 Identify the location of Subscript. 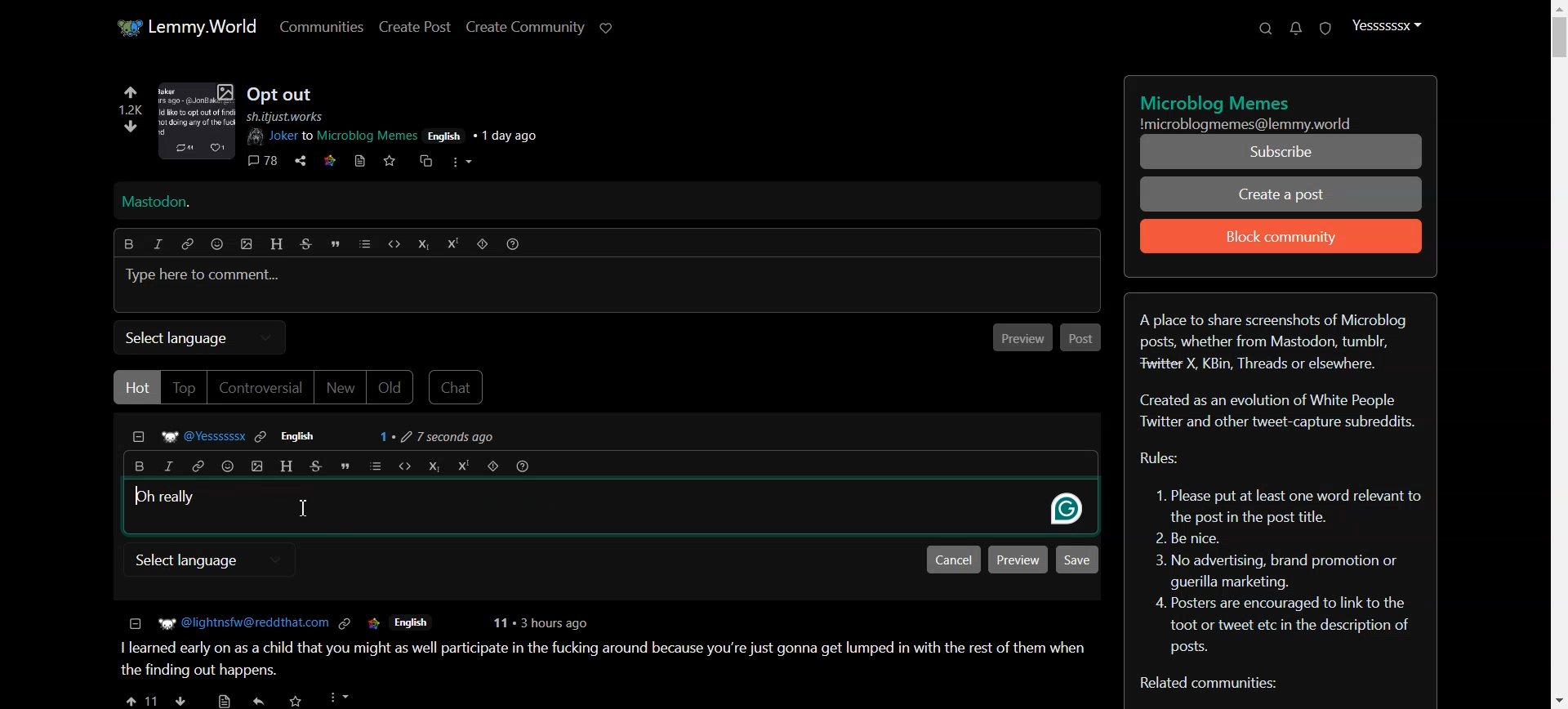
(432, 466).